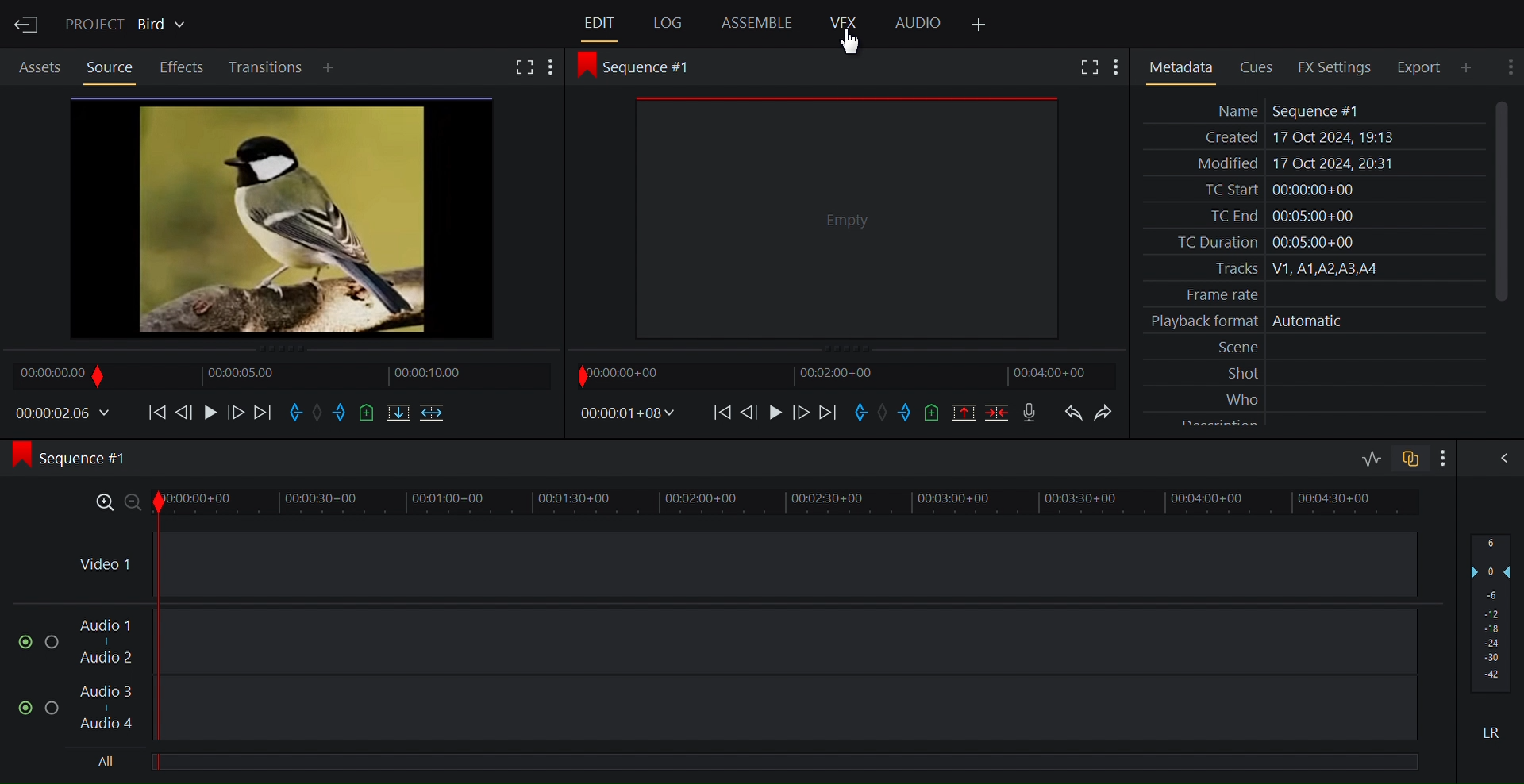 The width and height of the screenshot is (1524, 784). Describe the element at coordinates (1260, 66) in the screenshot. I see `Cues` at that location.